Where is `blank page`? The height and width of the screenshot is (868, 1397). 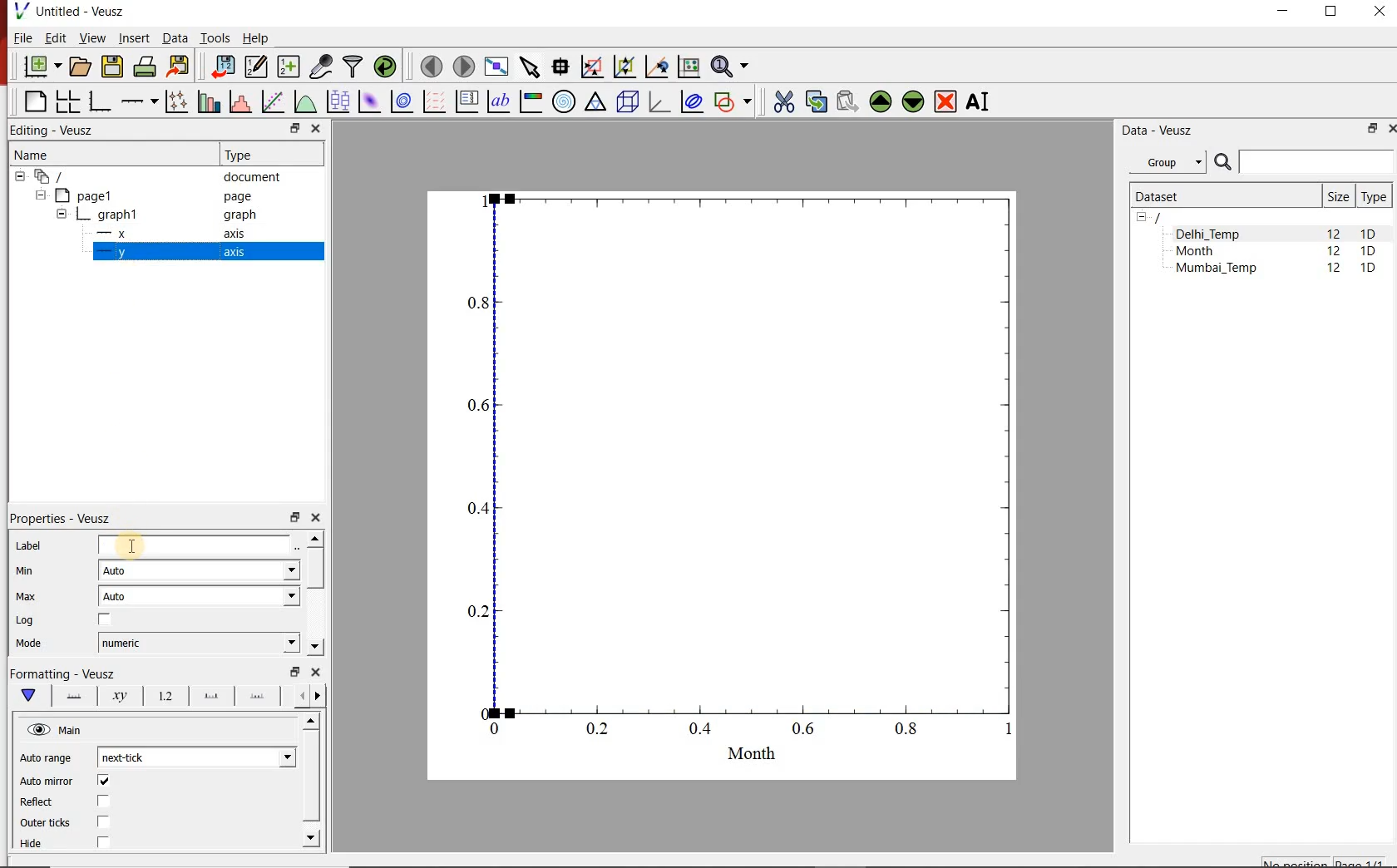
blank page is located at coordinates (32, 101).